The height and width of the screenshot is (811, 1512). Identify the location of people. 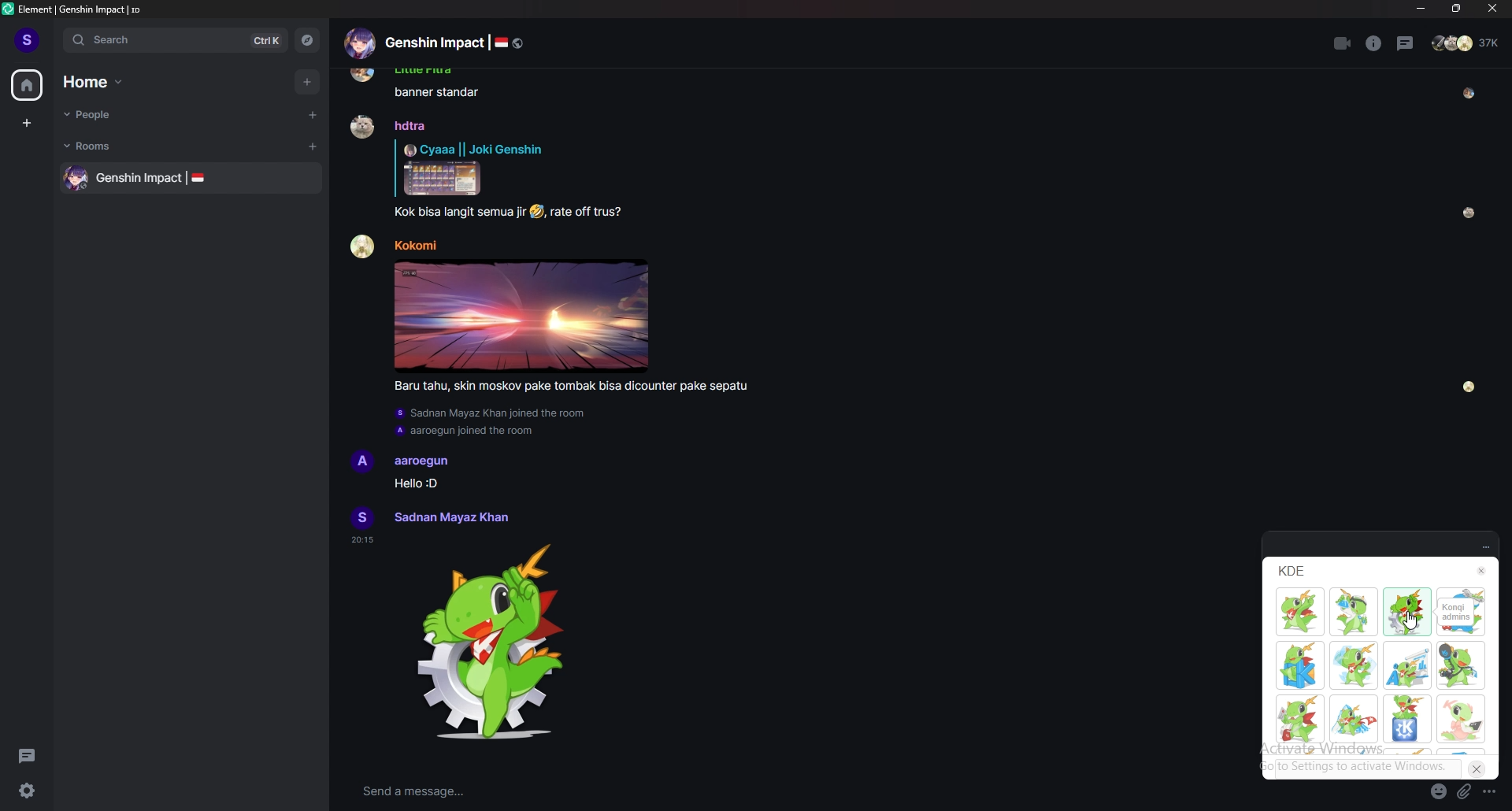
(1467, 43).